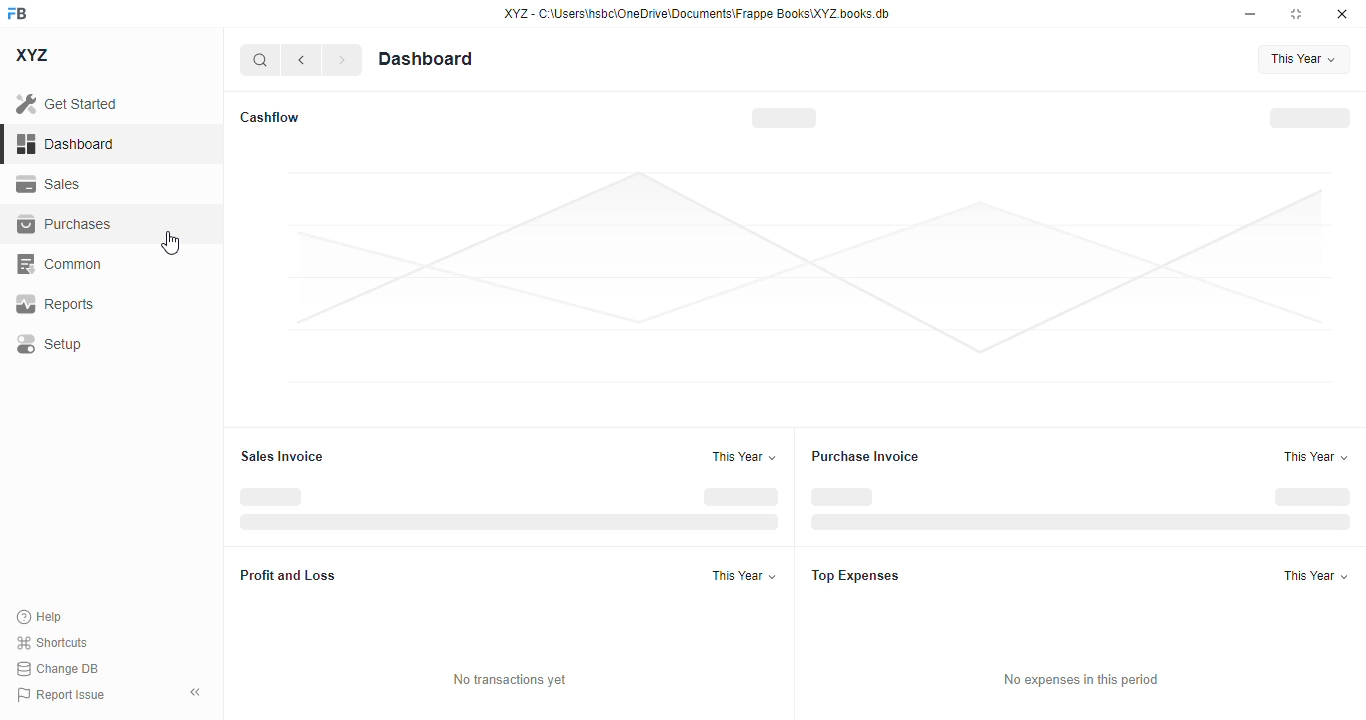 This screenshot has width=1366, height=720. What do you see at coordinates (65, 143) in the screenshot?
I see `dashboard` at bounding box center [65, 143].